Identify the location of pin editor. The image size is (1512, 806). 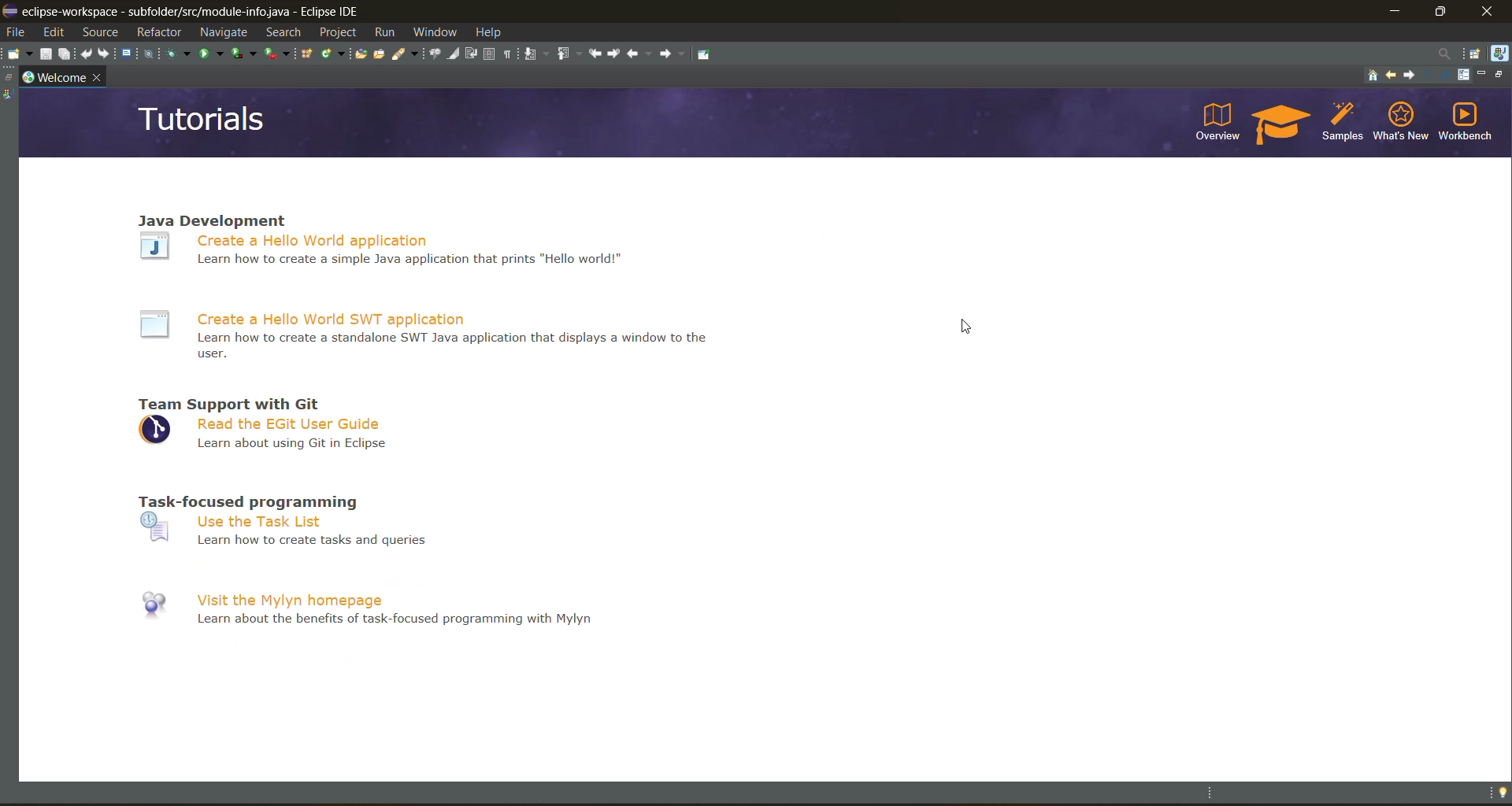
(704, 55).